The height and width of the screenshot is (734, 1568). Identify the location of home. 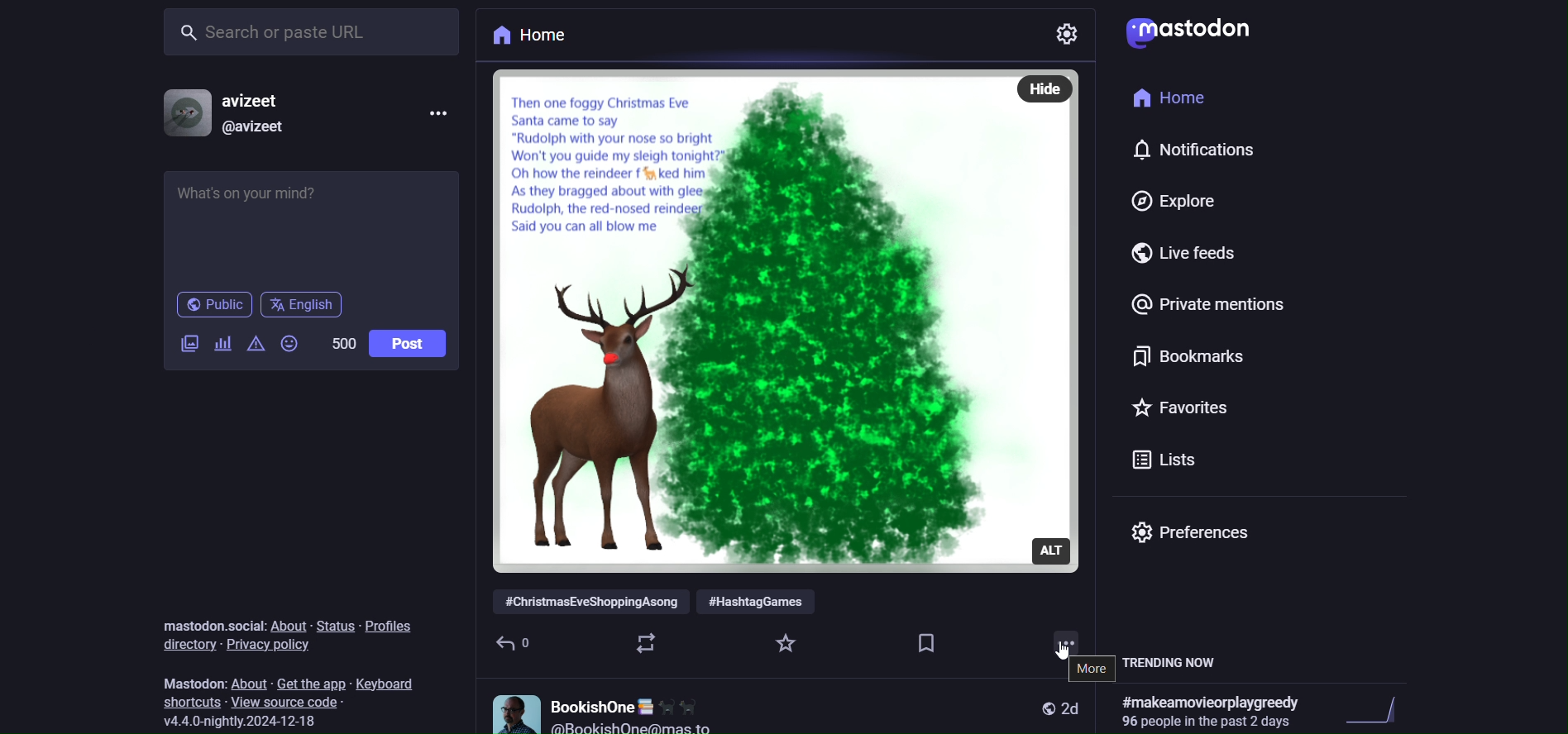
(528, 38).